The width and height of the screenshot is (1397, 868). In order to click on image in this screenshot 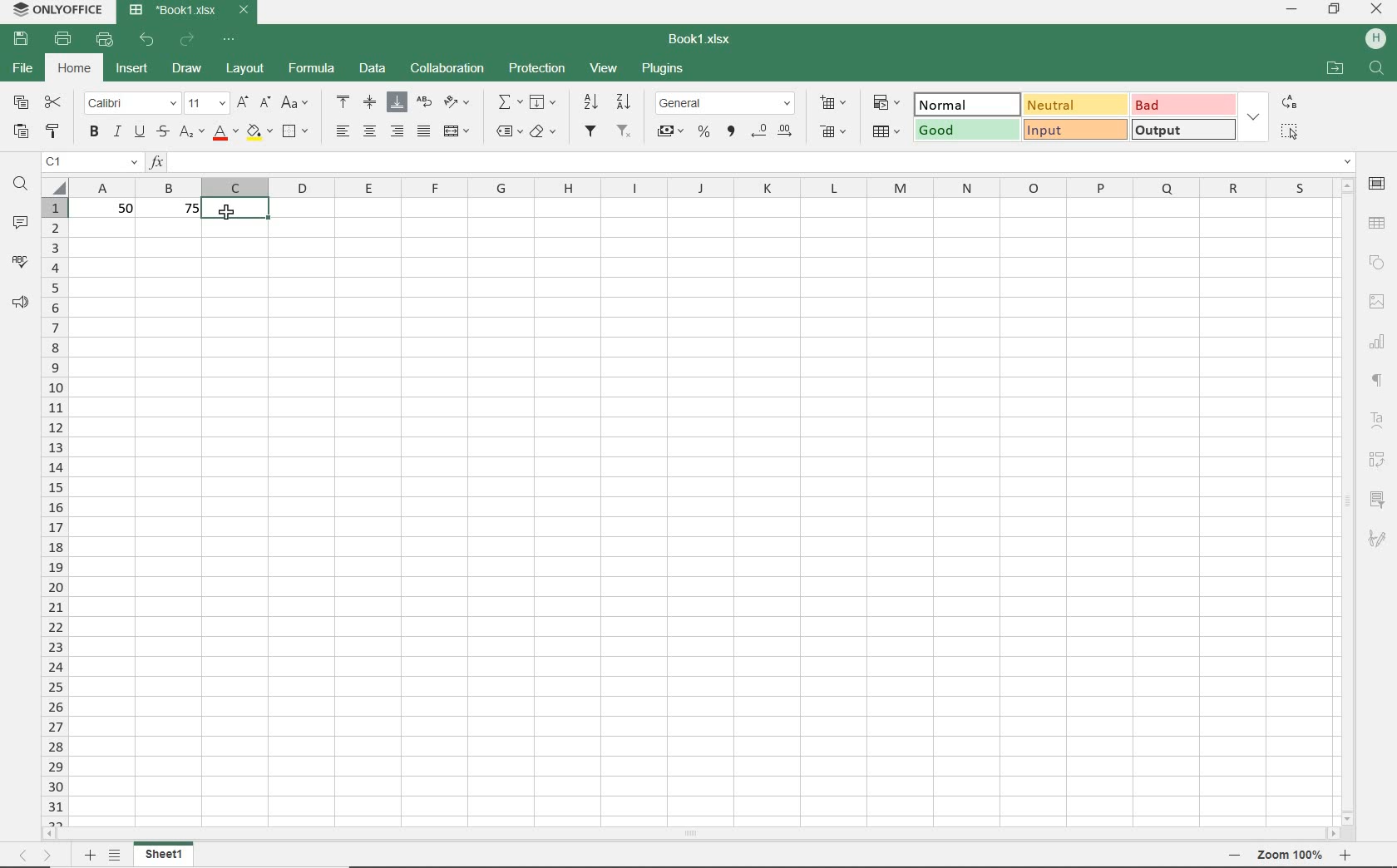, I will do `click(1375, 299)`.